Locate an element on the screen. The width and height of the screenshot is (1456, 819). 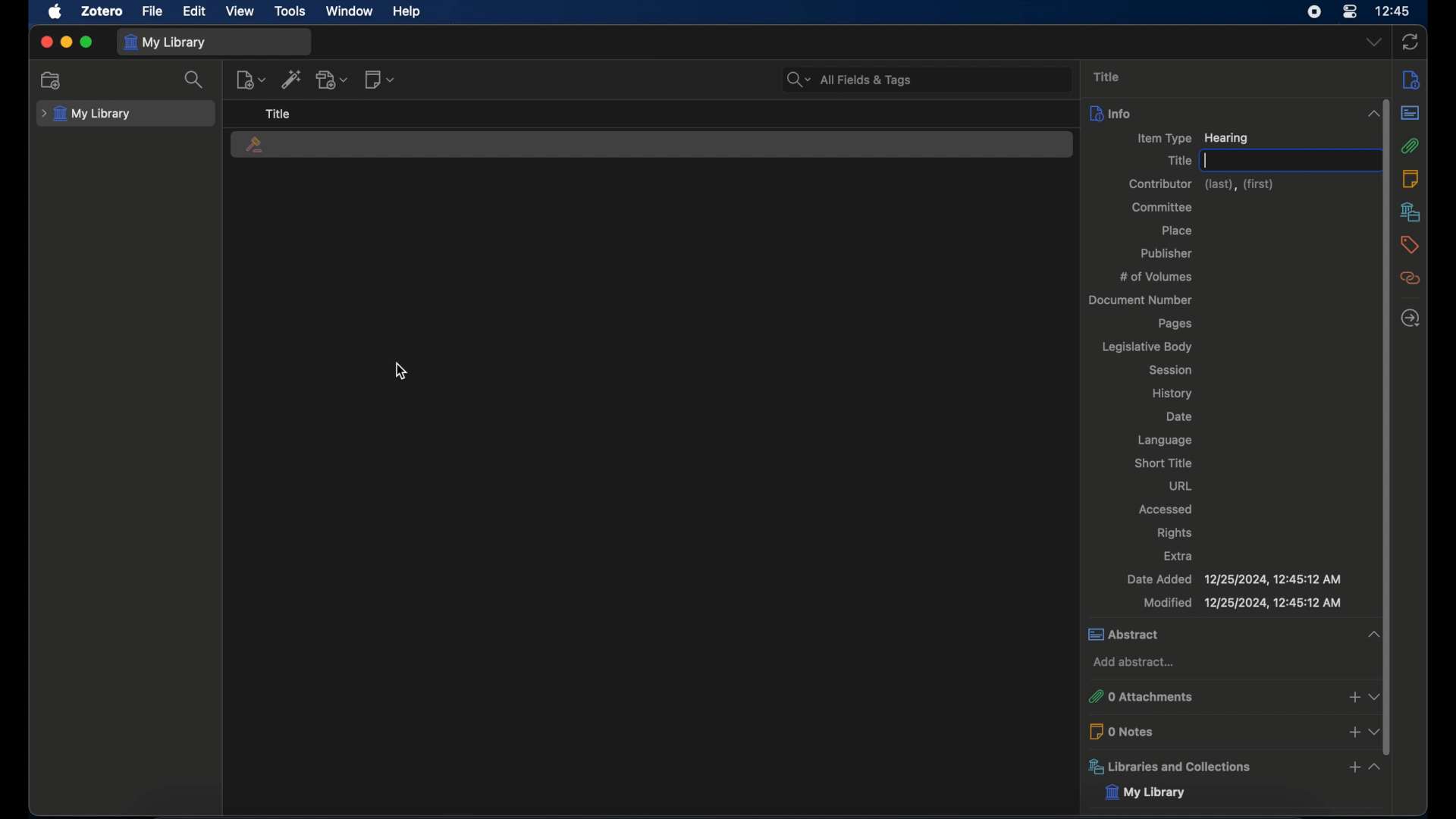
pages is located at coordinates (1177, 324).